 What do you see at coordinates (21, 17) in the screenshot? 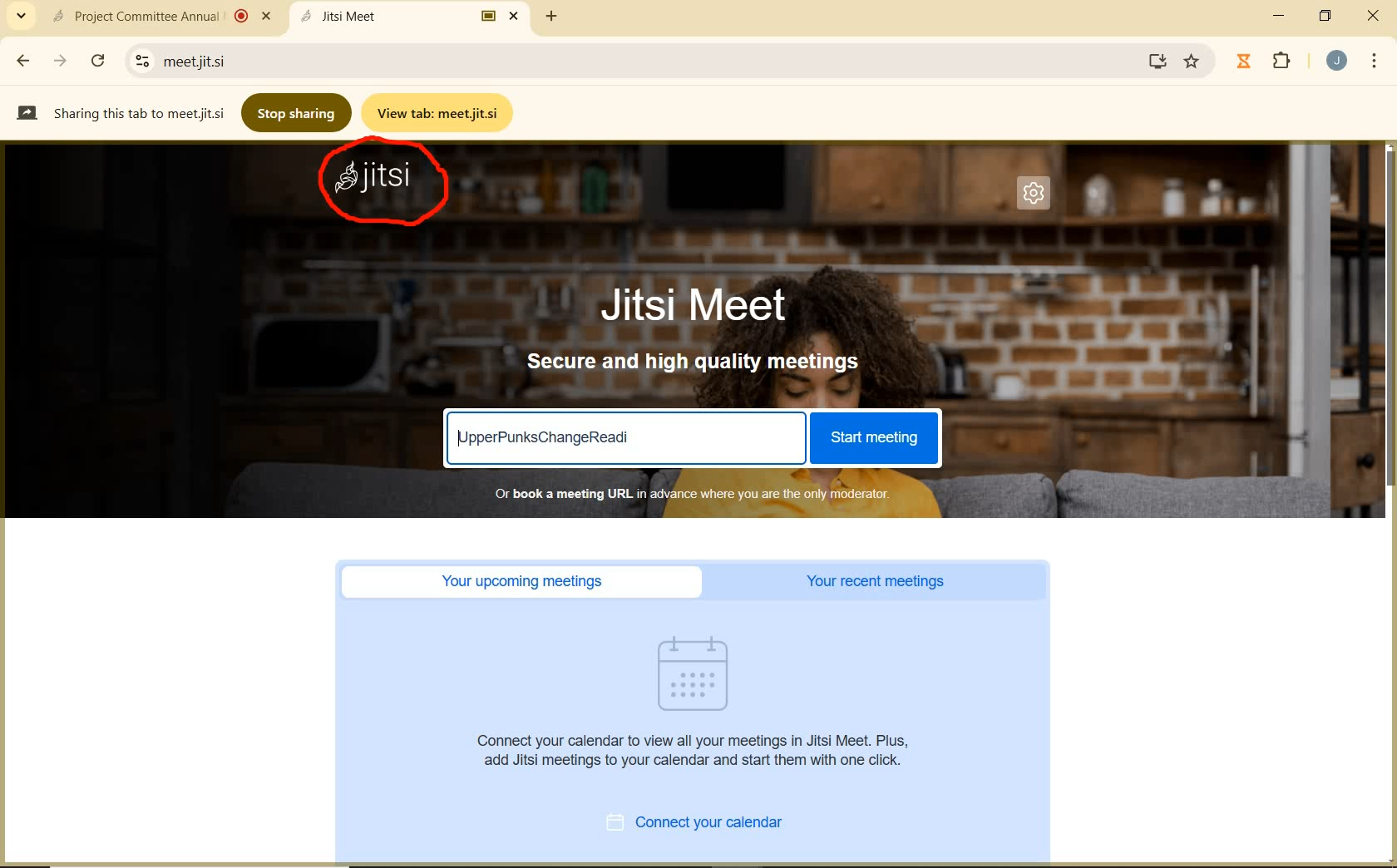
I see `Collapse` at bounding box center [21, 17].